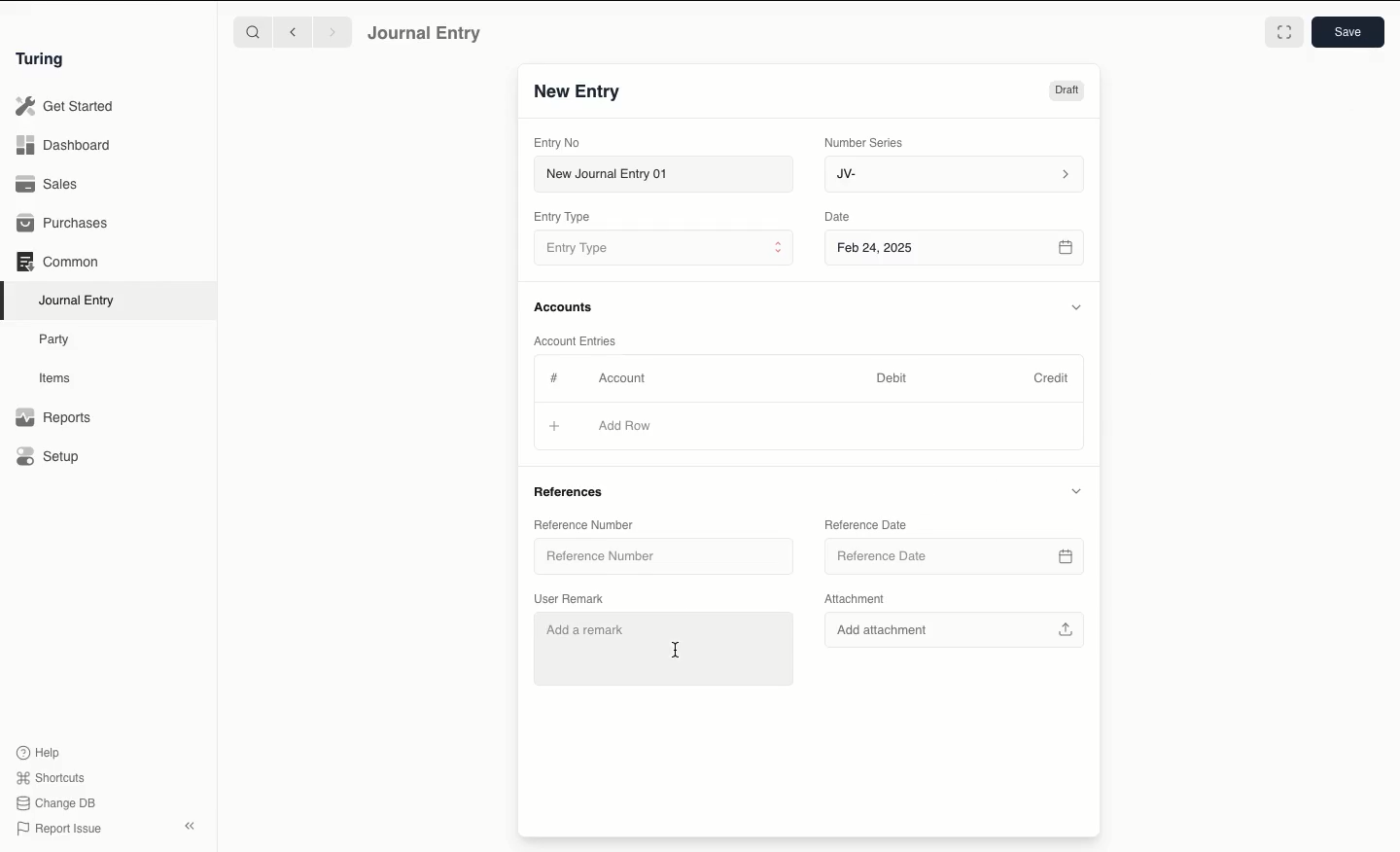  Describe the element at coordinates (63, 146) in the screenshot. I see `Dashboard` at that location.